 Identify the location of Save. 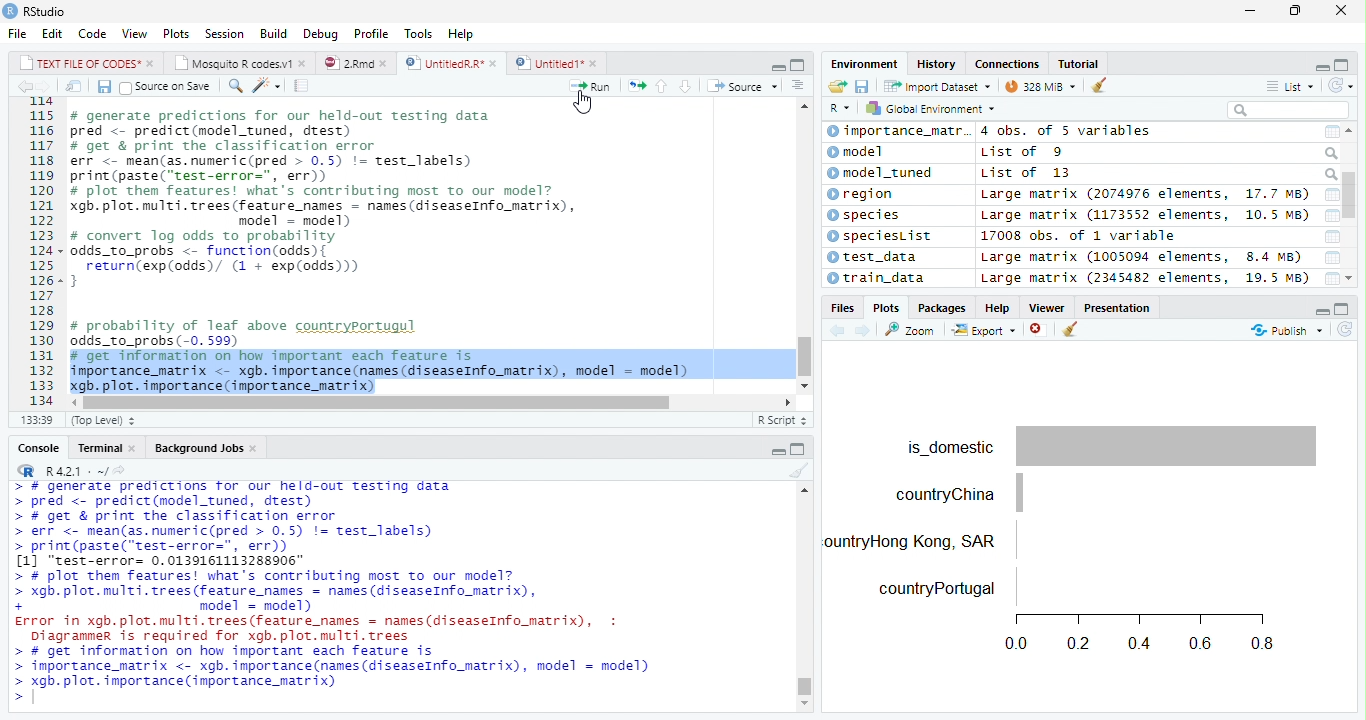
(101, 85).